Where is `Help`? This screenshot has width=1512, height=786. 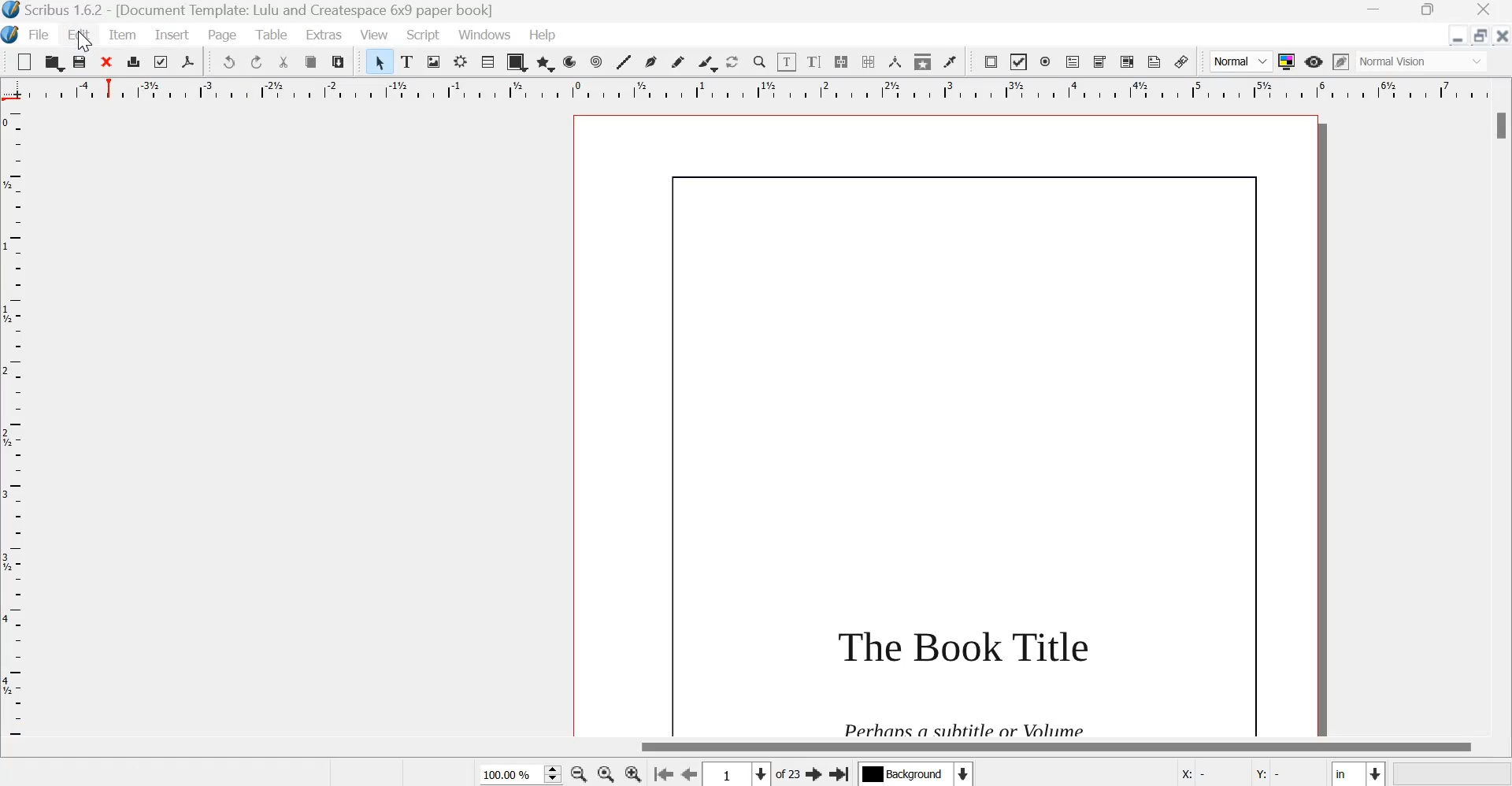
Help is located at coordinates (544, 34).